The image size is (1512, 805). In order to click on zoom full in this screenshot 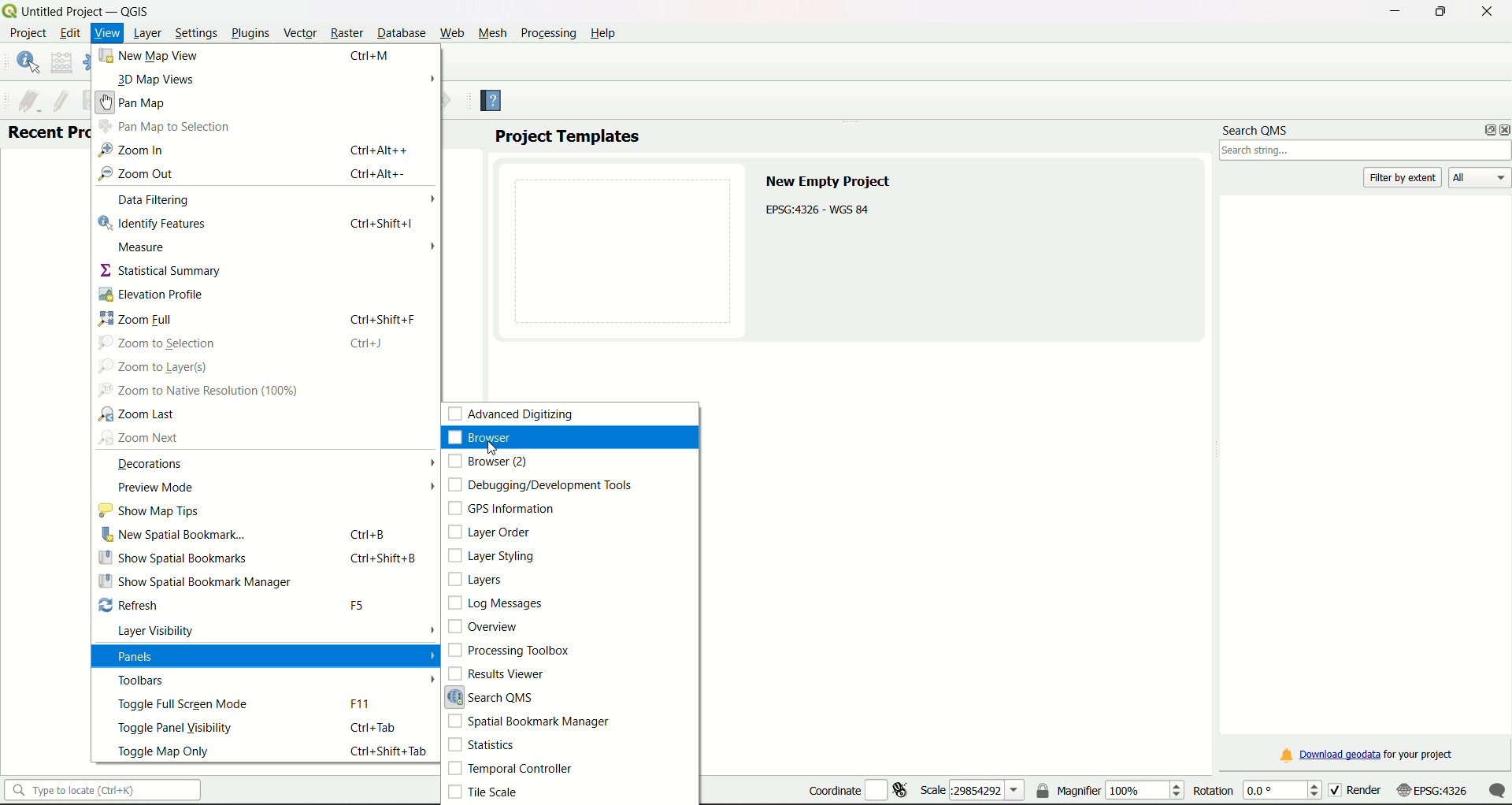, I will do `click(139, 319)`.